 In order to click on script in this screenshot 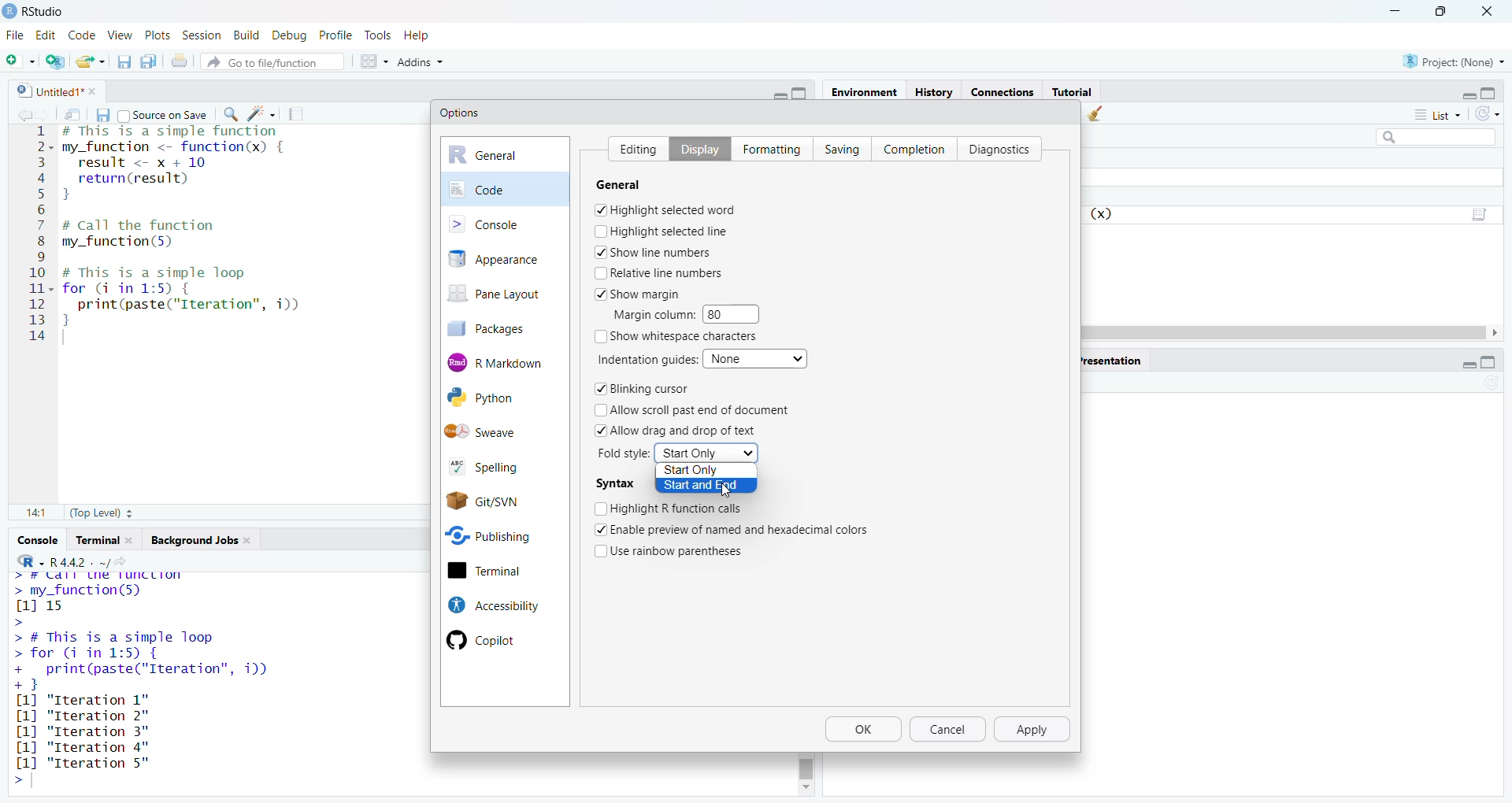, I will do `click(1482, 212)`.